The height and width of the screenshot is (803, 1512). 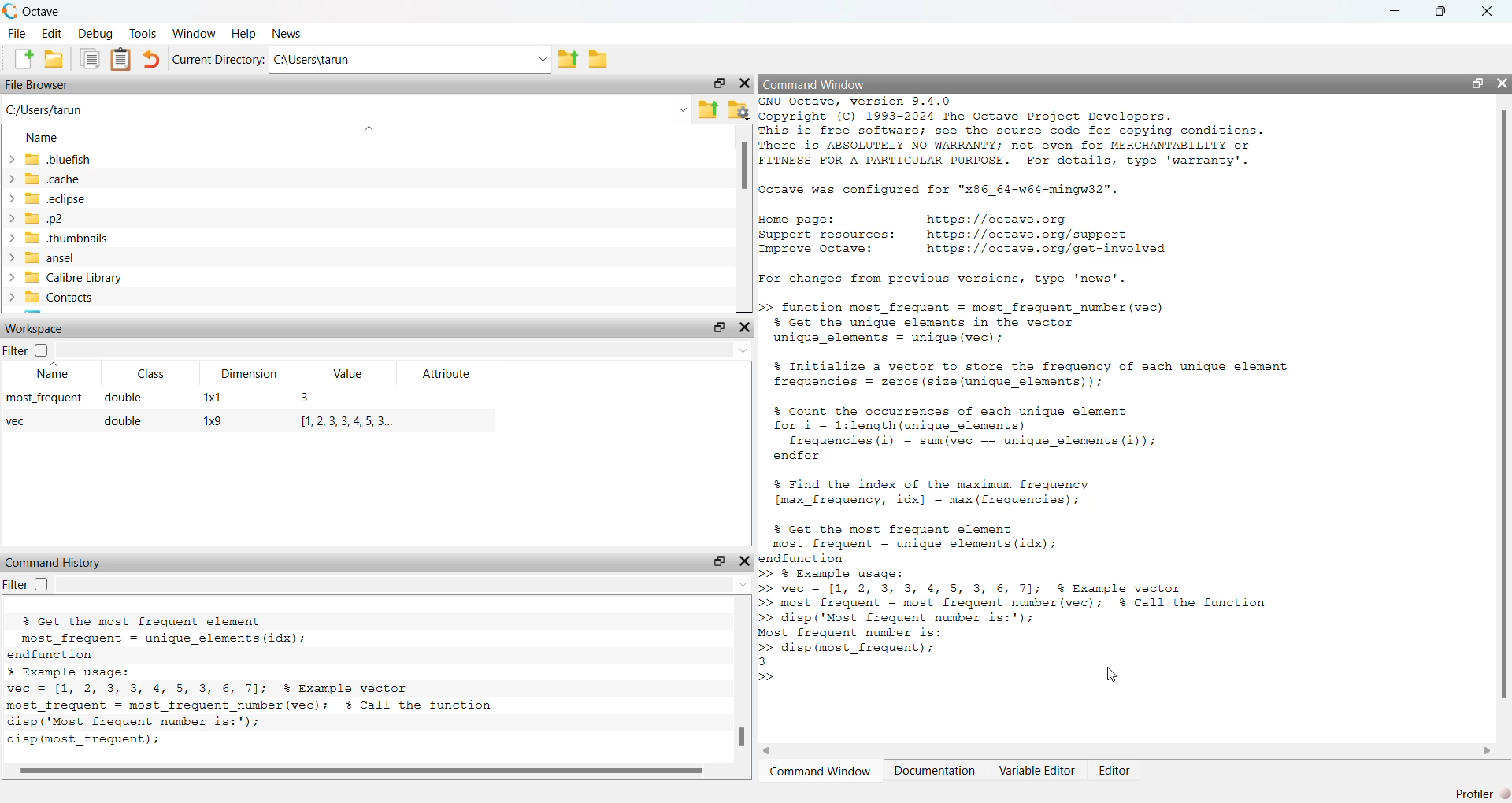 What do you see at coordinates (59, 297) in the screenshot?
I see `Contacts` at bounding box center [59, 297].